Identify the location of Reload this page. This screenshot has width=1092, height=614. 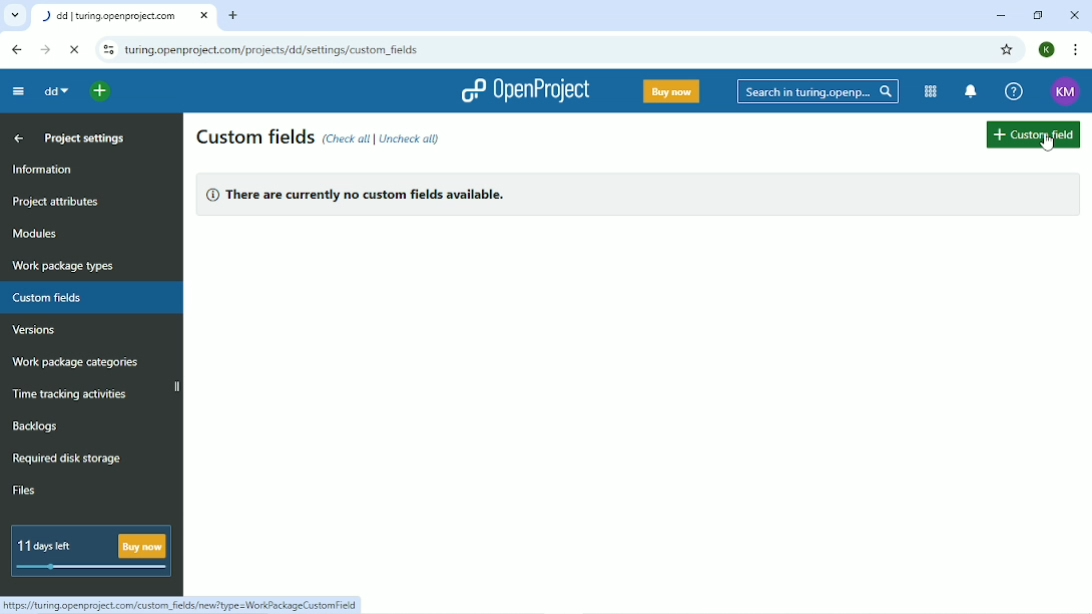
(76, 49).